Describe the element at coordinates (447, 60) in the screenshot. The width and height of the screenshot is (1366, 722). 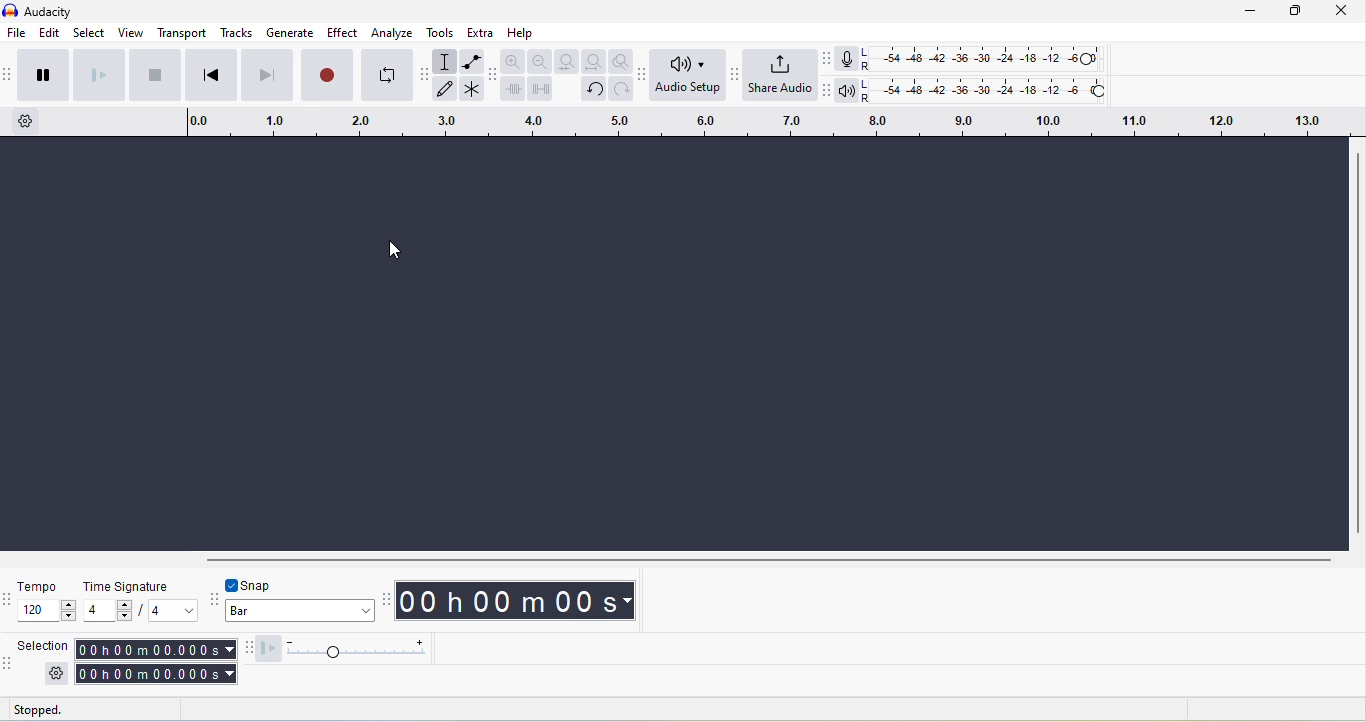
I see `selection tool` at that location.